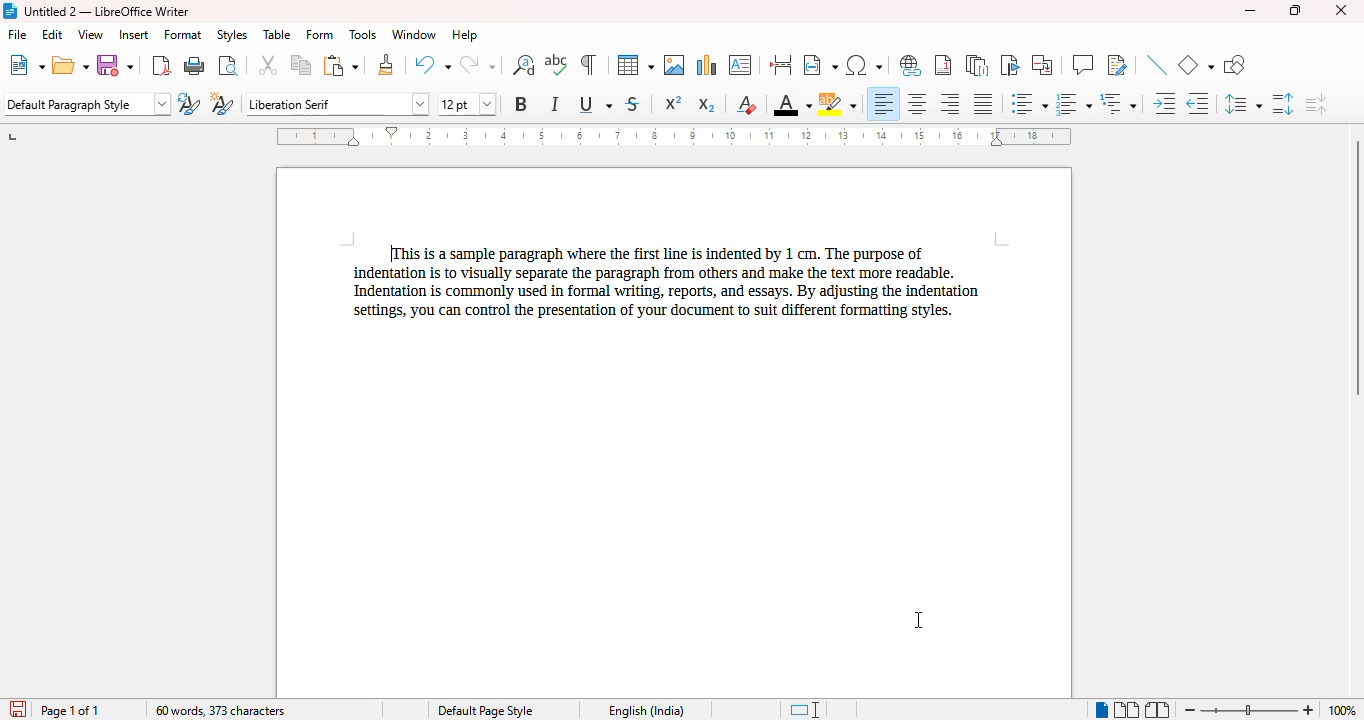 The image size is (1364, 720). Describe the element at coordinates (594, 105) in the screenshot. I see `underline` at that location.